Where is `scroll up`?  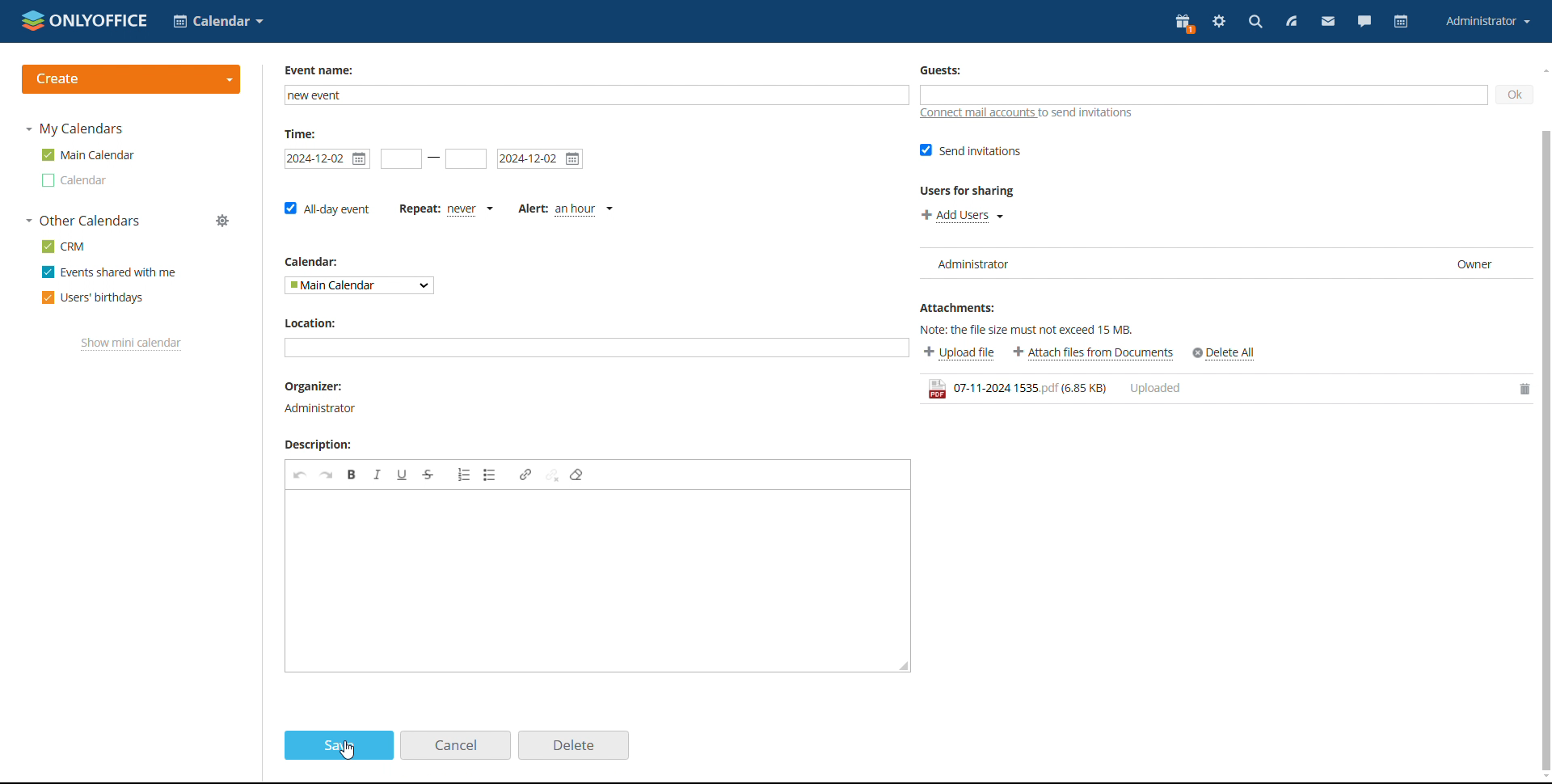
scroll up is located at coordinates (1542, 69).